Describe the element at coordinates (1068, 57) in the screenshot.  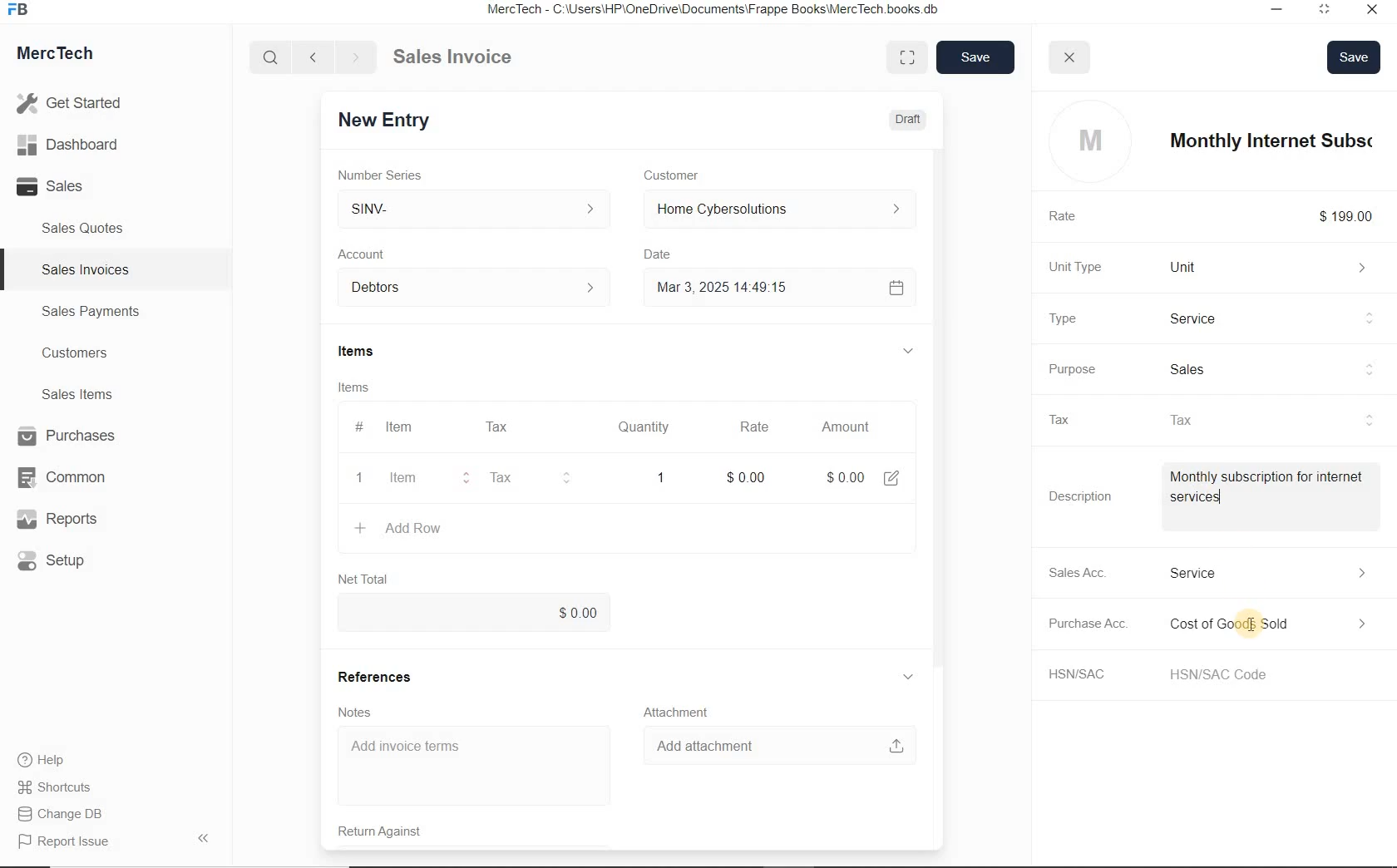
I see `close` at that location.